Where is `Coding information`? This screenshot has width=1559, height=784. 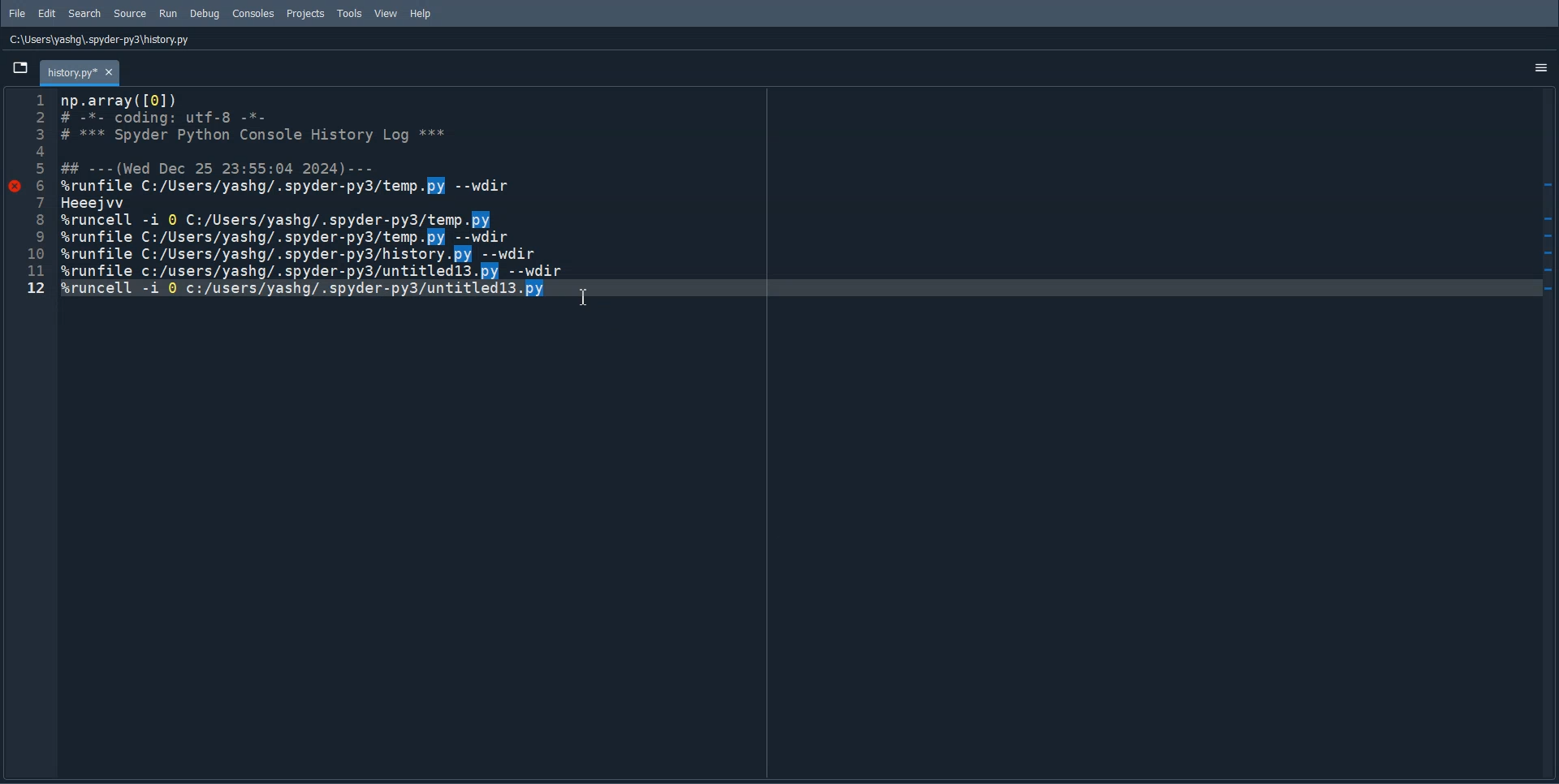
Coding information is located at coordinates (312, 196).